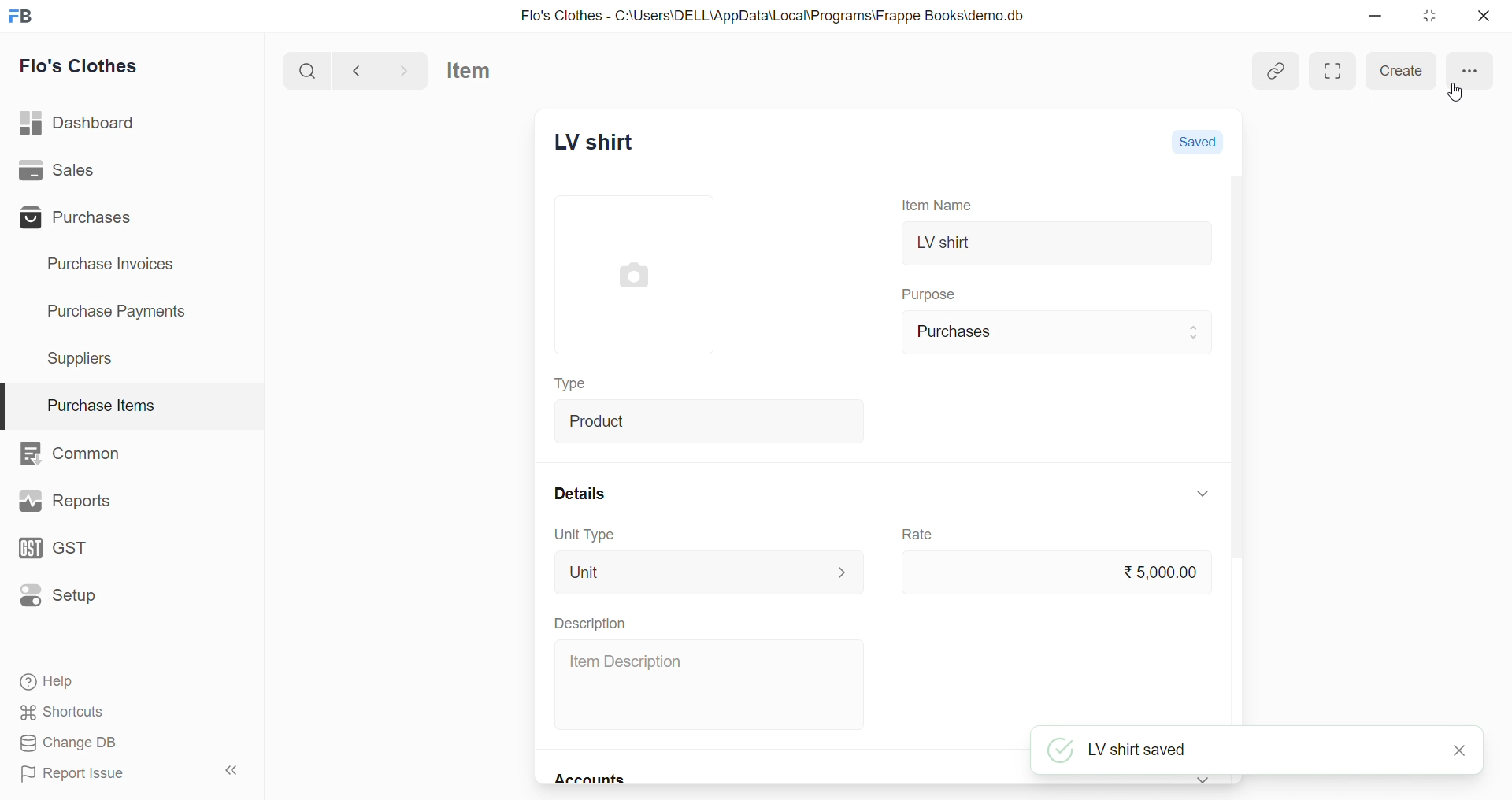 The image size is (1512, 800). I want to click on logo, so click(20, 17).